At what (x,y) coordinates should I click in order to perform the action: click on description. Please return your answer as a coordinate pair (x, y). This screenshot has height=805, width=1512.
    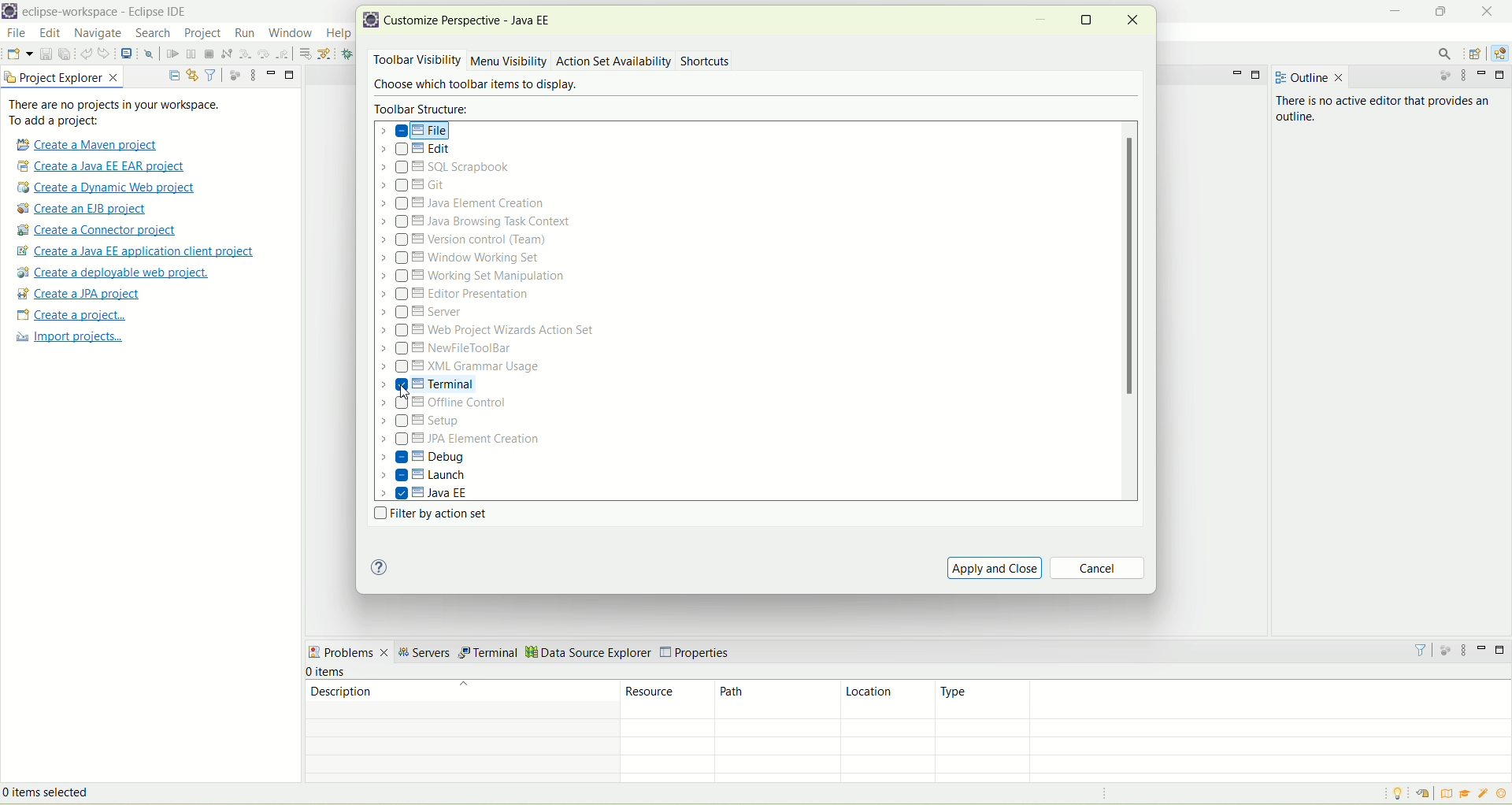
    Looking at the image, I should click on (459, 698).